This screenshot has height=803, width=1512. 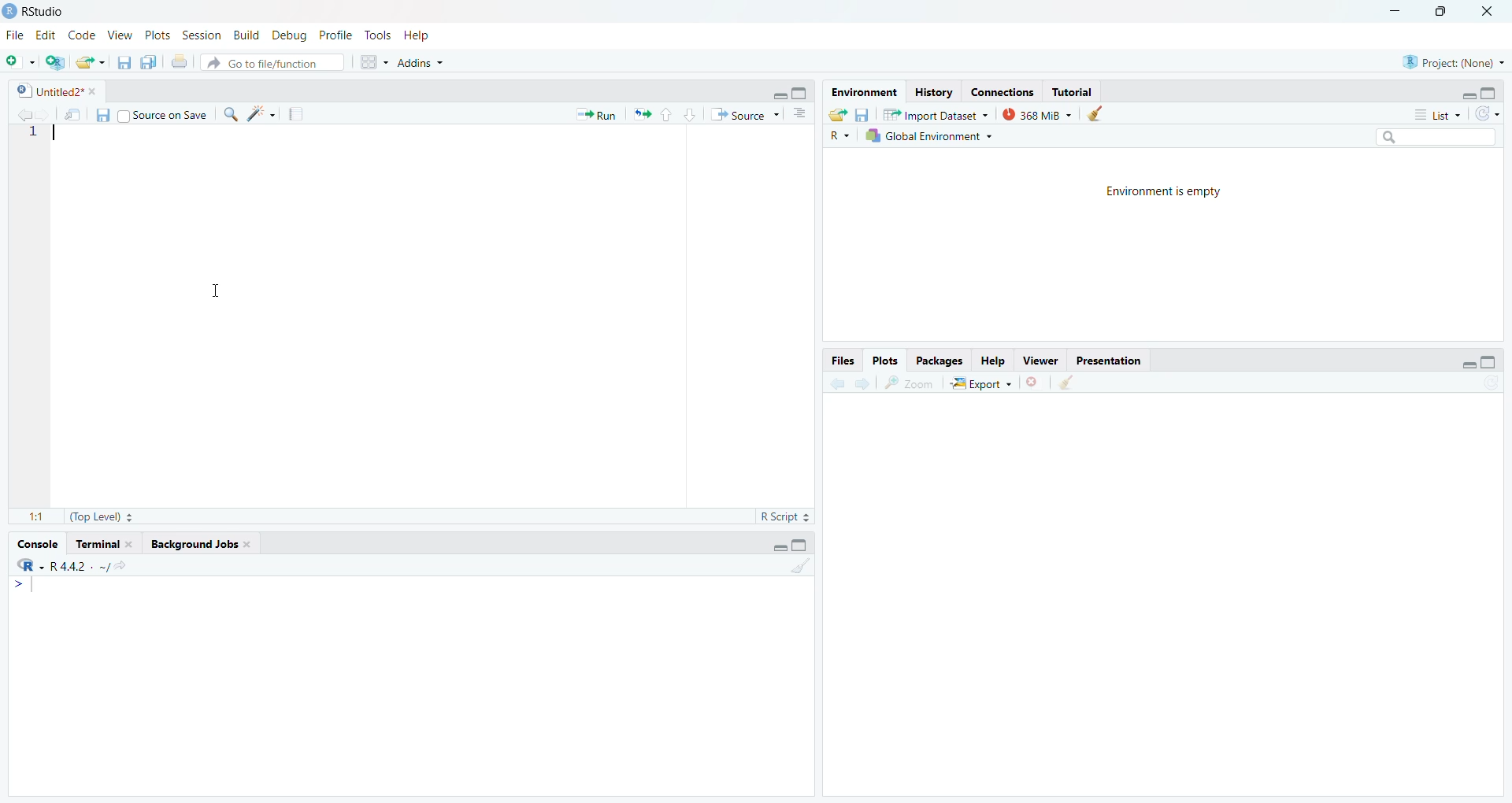 What do you see at coordinates (1067, 383) in the screenshot?
I see `clear` at bounding box center [1067, 383].